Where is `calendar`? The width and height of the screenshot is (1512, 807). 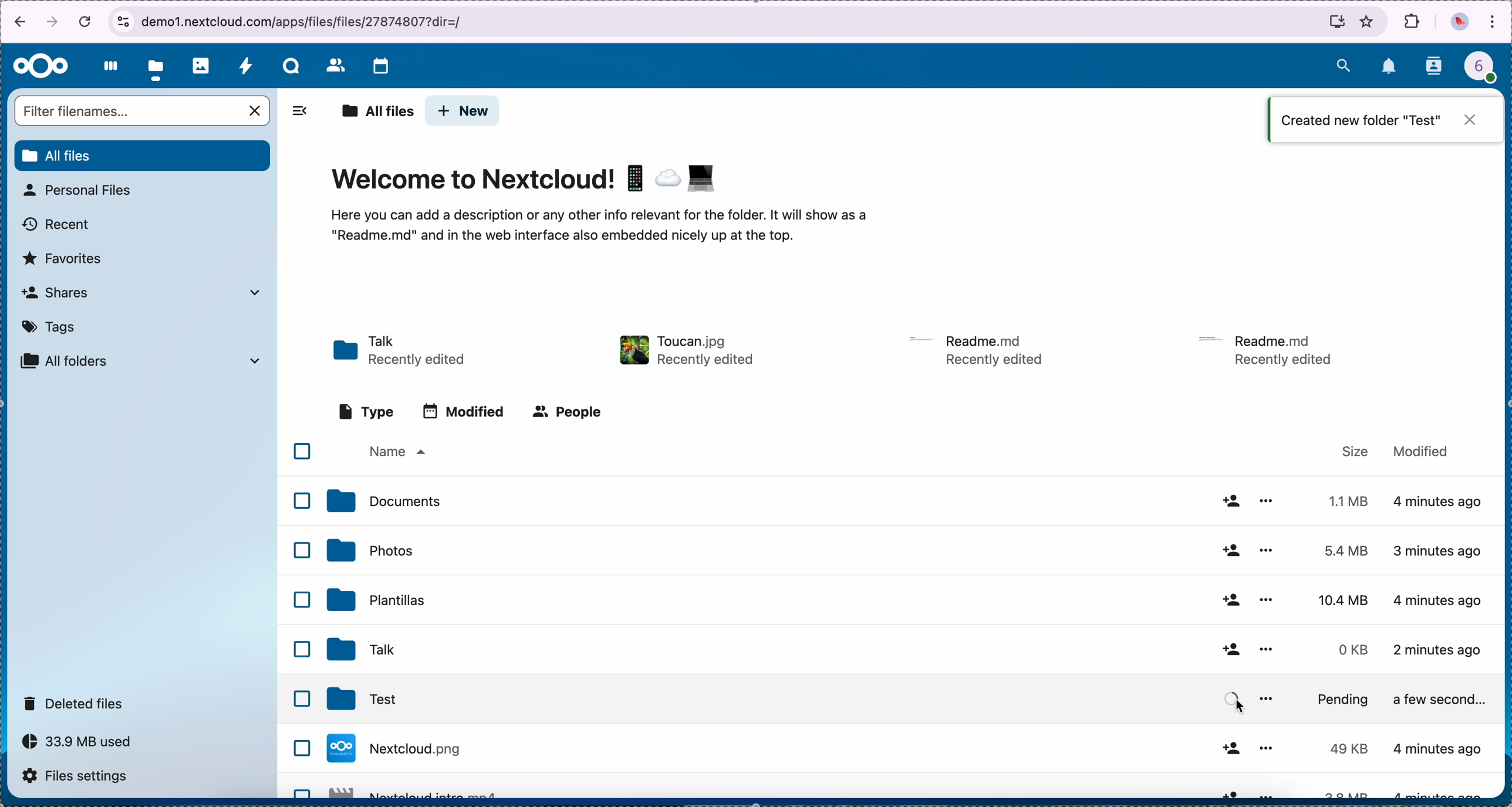
calendar is located at coordinates (380, 67).